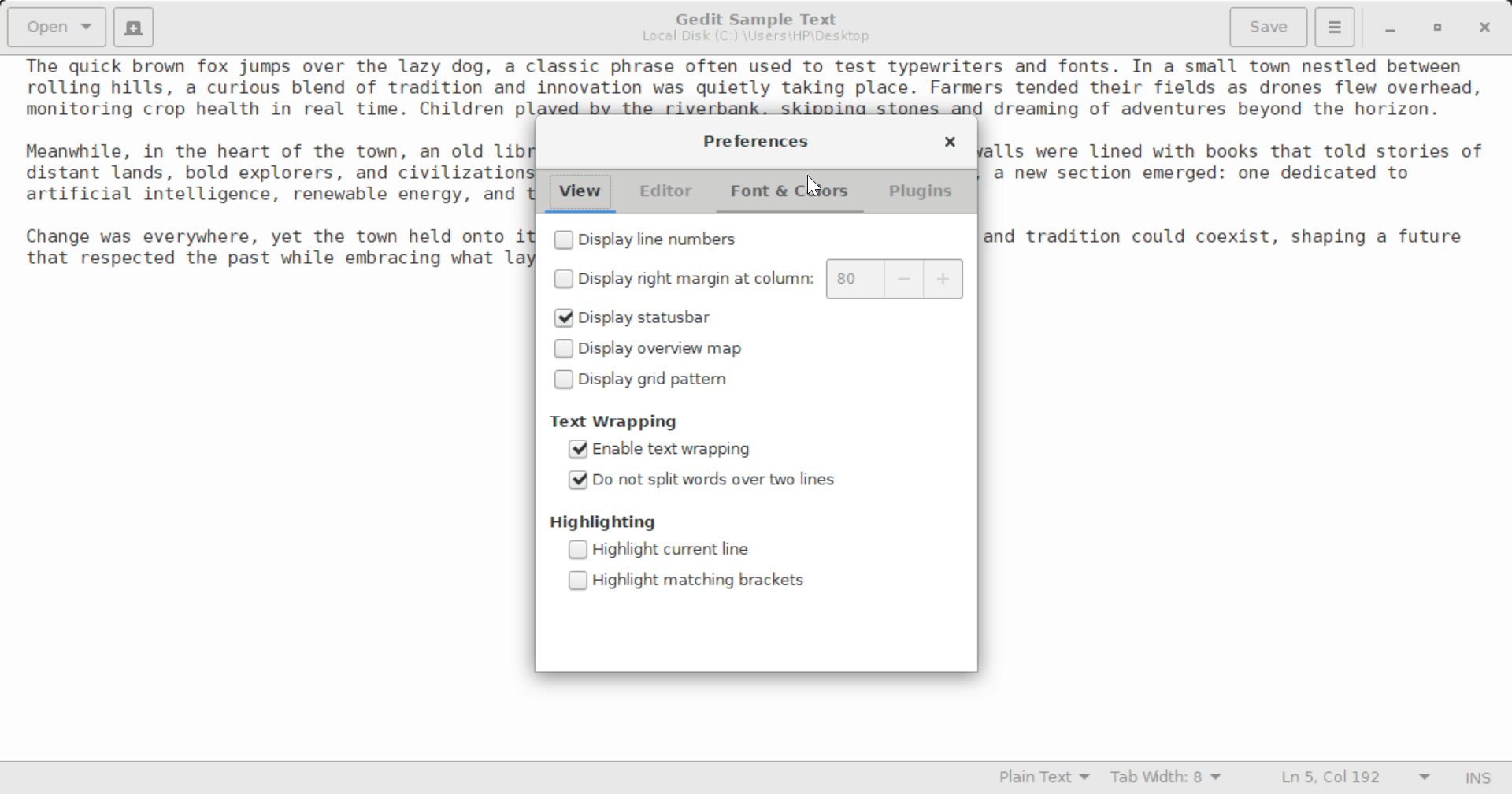 The height and width of the screenshot is (794, 1512). What do you see at coordinates (638, 319) in the screenshot?
I see `Display statusbar` at bounding box center [638, 319].